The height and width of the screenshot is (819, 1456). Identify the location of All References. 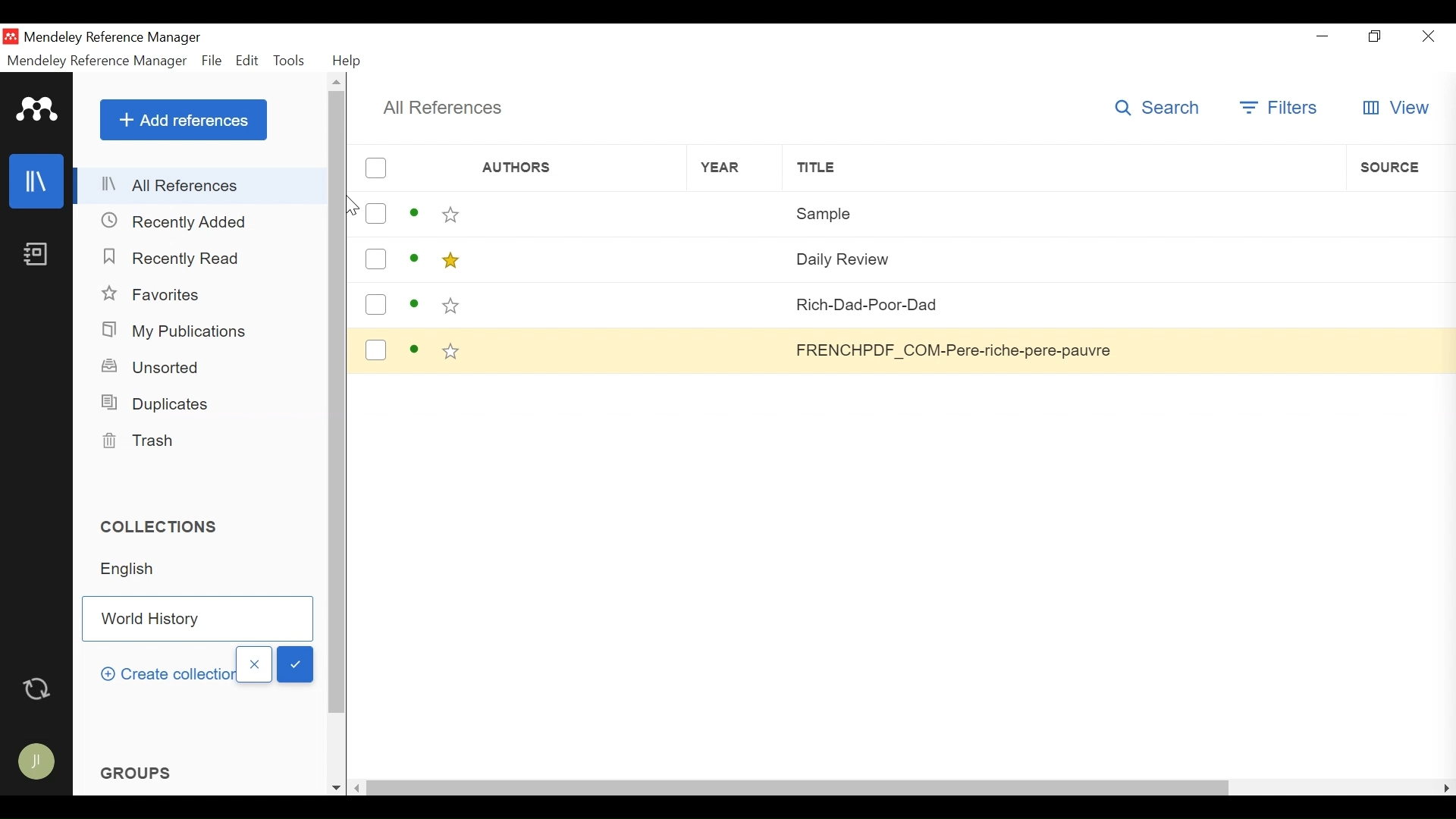
(442, 108).